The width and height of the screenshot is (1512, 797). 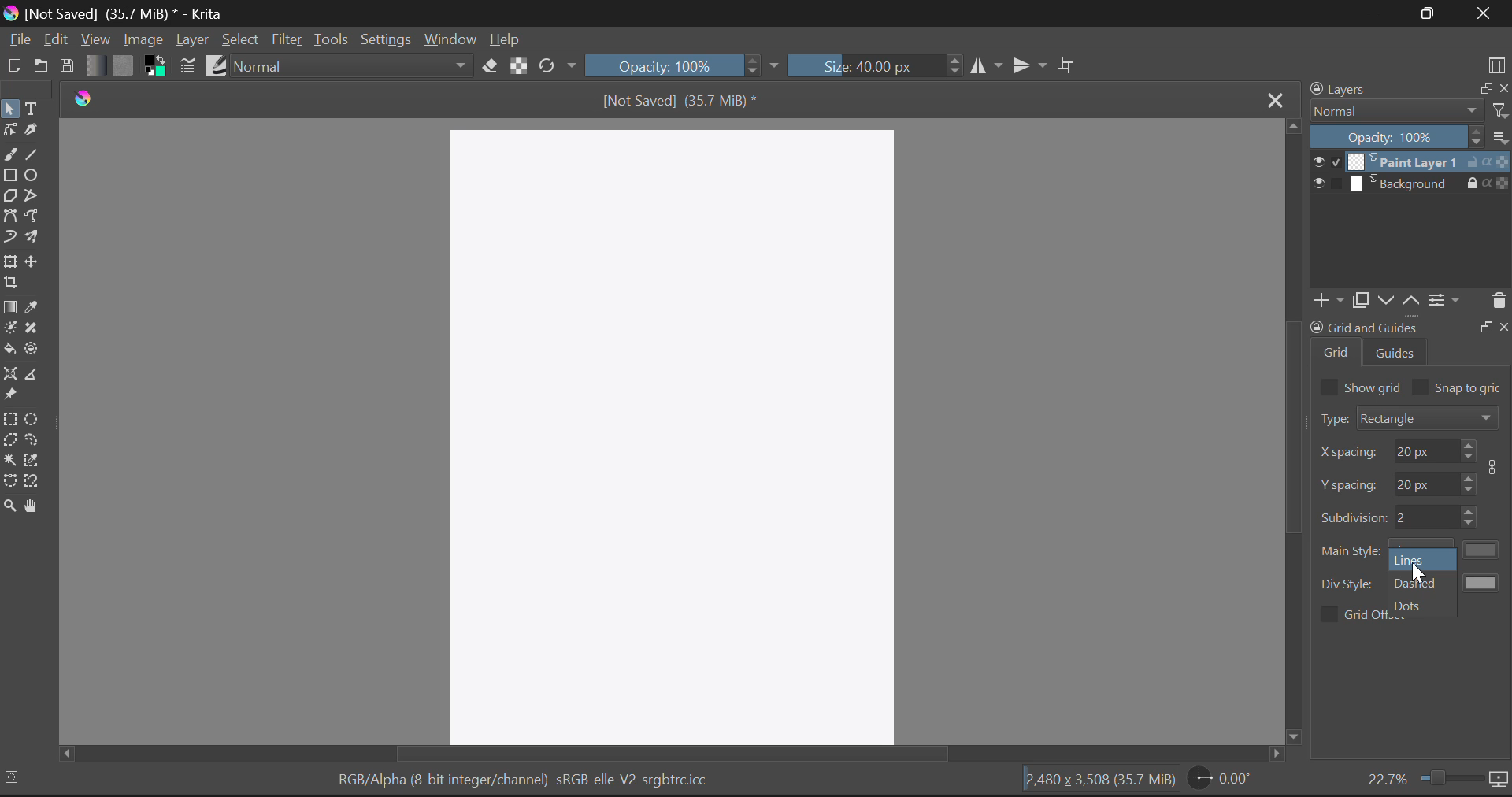 I want to click on Increase or decrease, so click(x=1469, y=450).